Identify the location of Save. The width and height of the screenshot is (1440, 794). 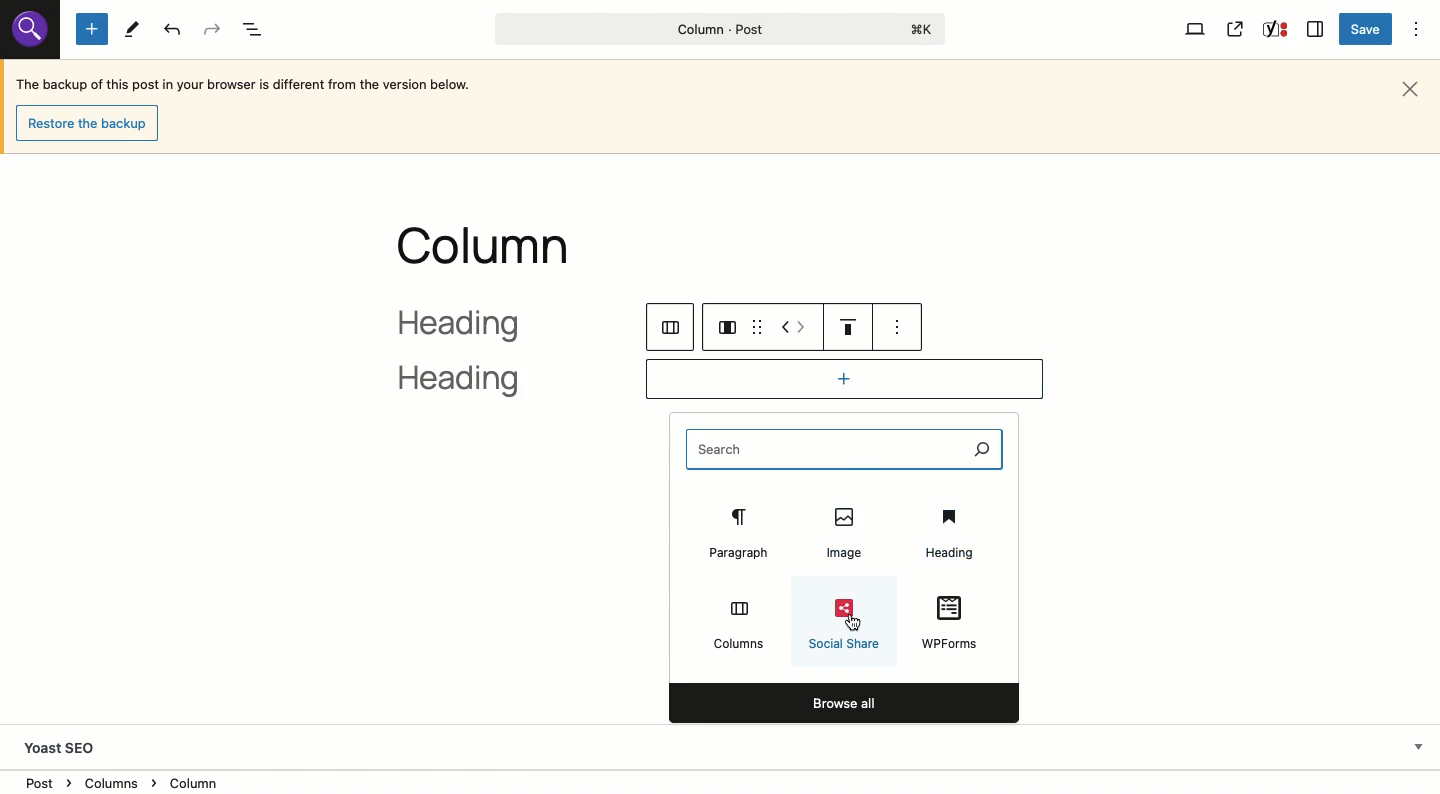
(1368, 30).